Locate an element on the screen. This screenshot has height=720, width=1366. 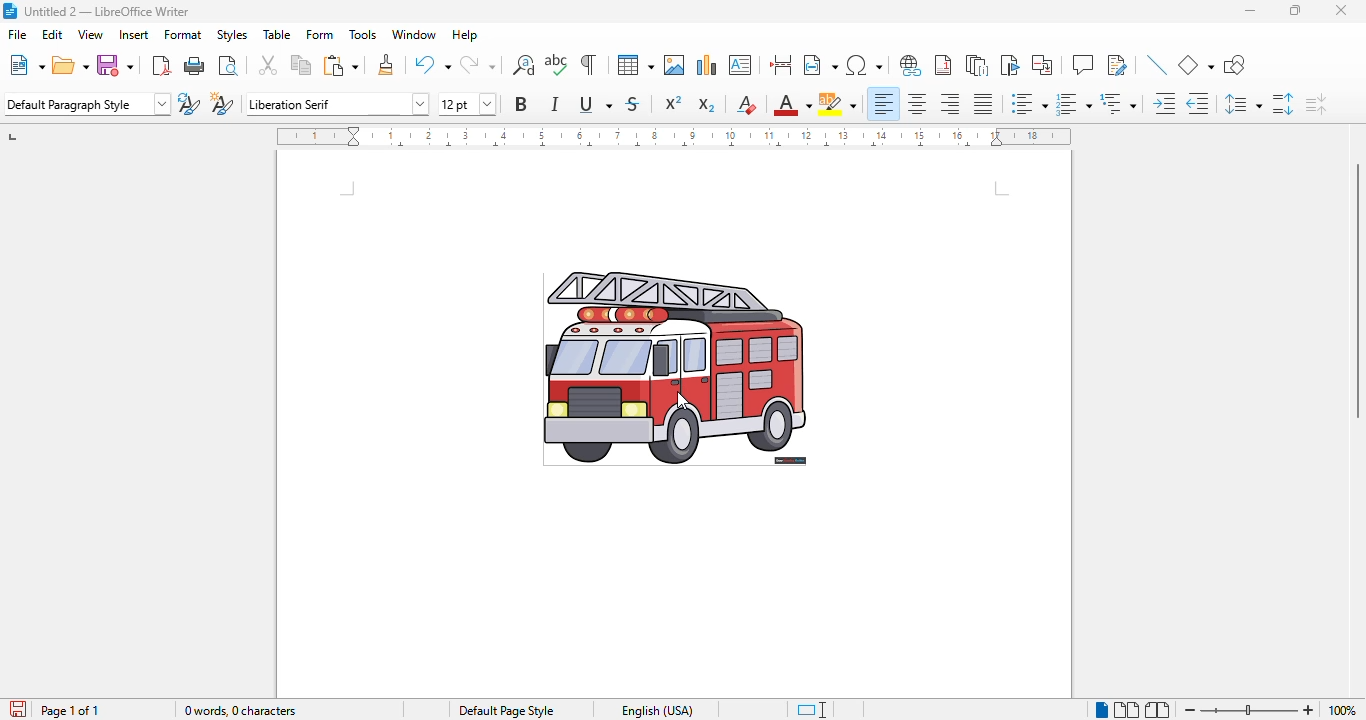
insert special characters is located at coordinates (866, 65).